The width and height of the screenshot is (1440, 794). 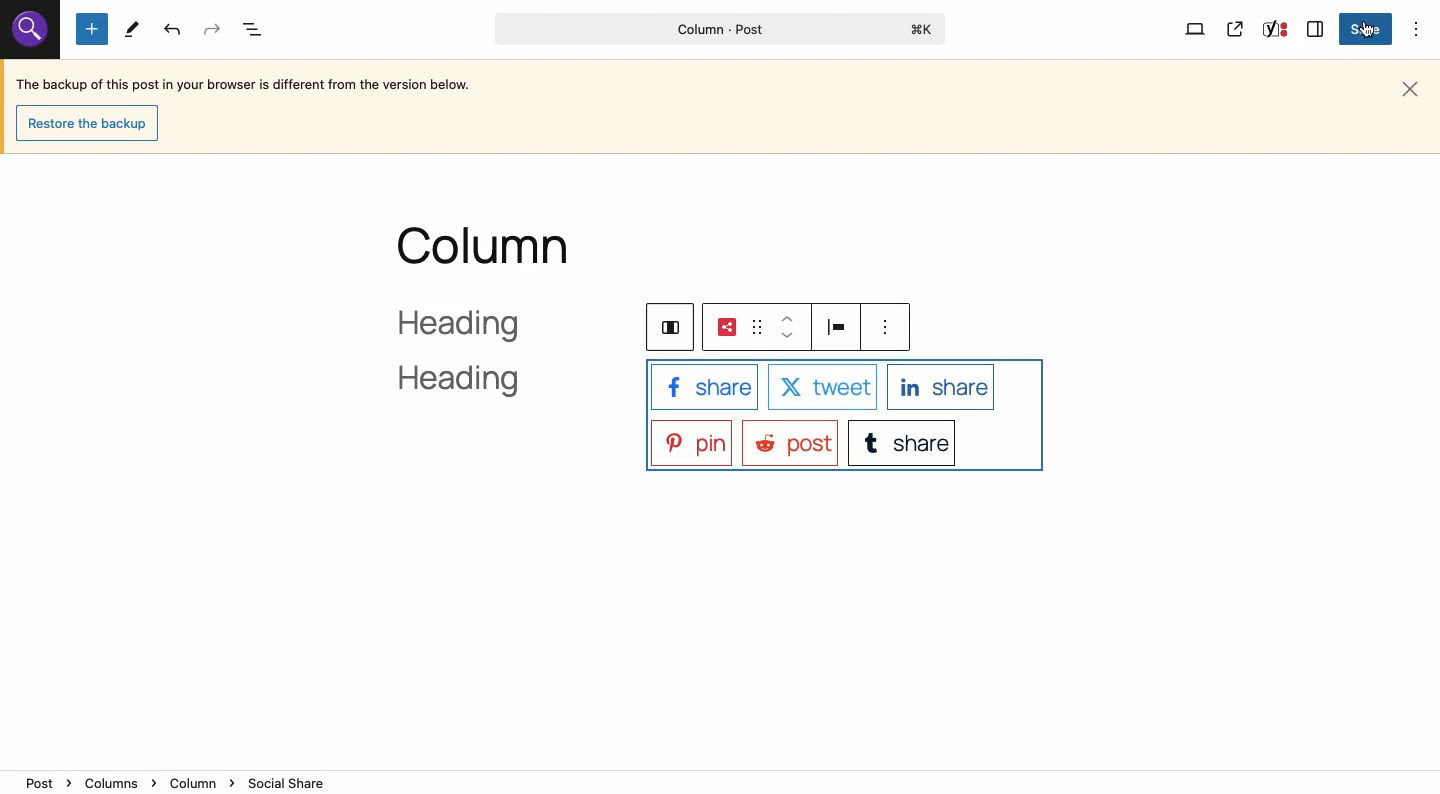 I want to click on see options, so click(x=889, y=327).